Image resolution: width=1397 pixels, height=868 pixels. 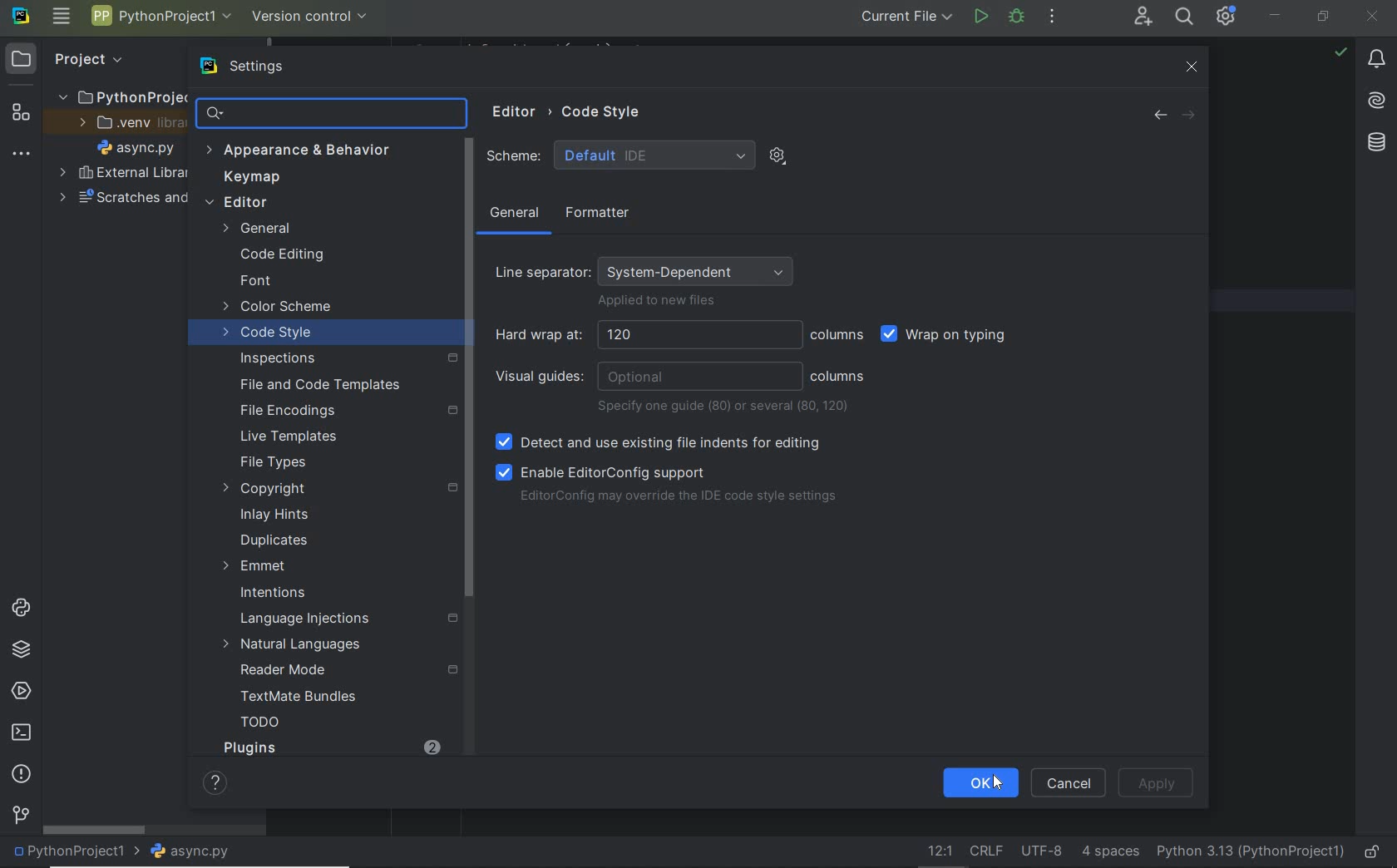 What do you see at coordinates (838, 335) in the screenshot?
I see `columns` at bounding box center [838, 335].